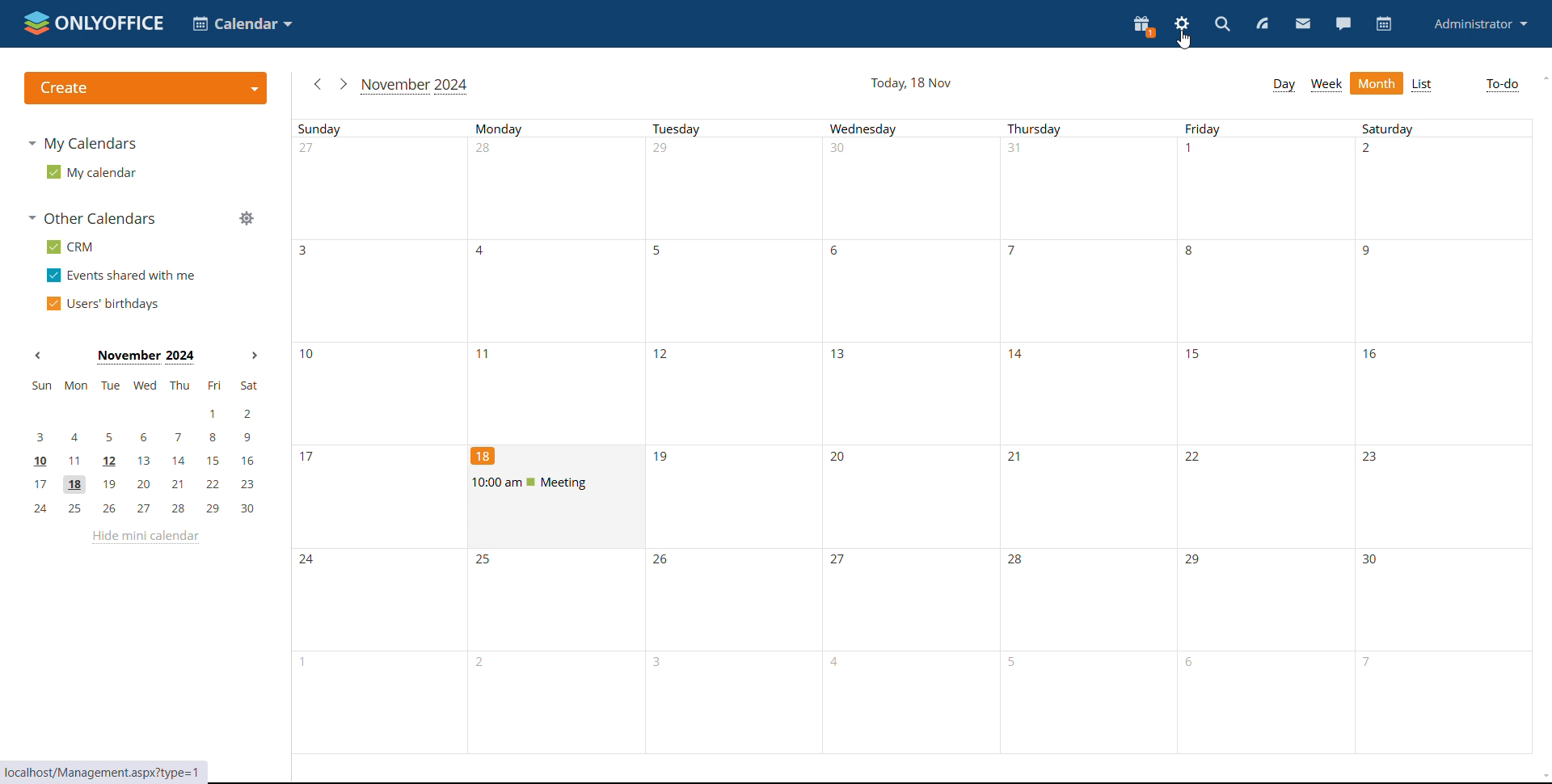 Image resolution: width=1552 pixels, height=784 pixels. I want to click on scroll up, so click(1542, 77).